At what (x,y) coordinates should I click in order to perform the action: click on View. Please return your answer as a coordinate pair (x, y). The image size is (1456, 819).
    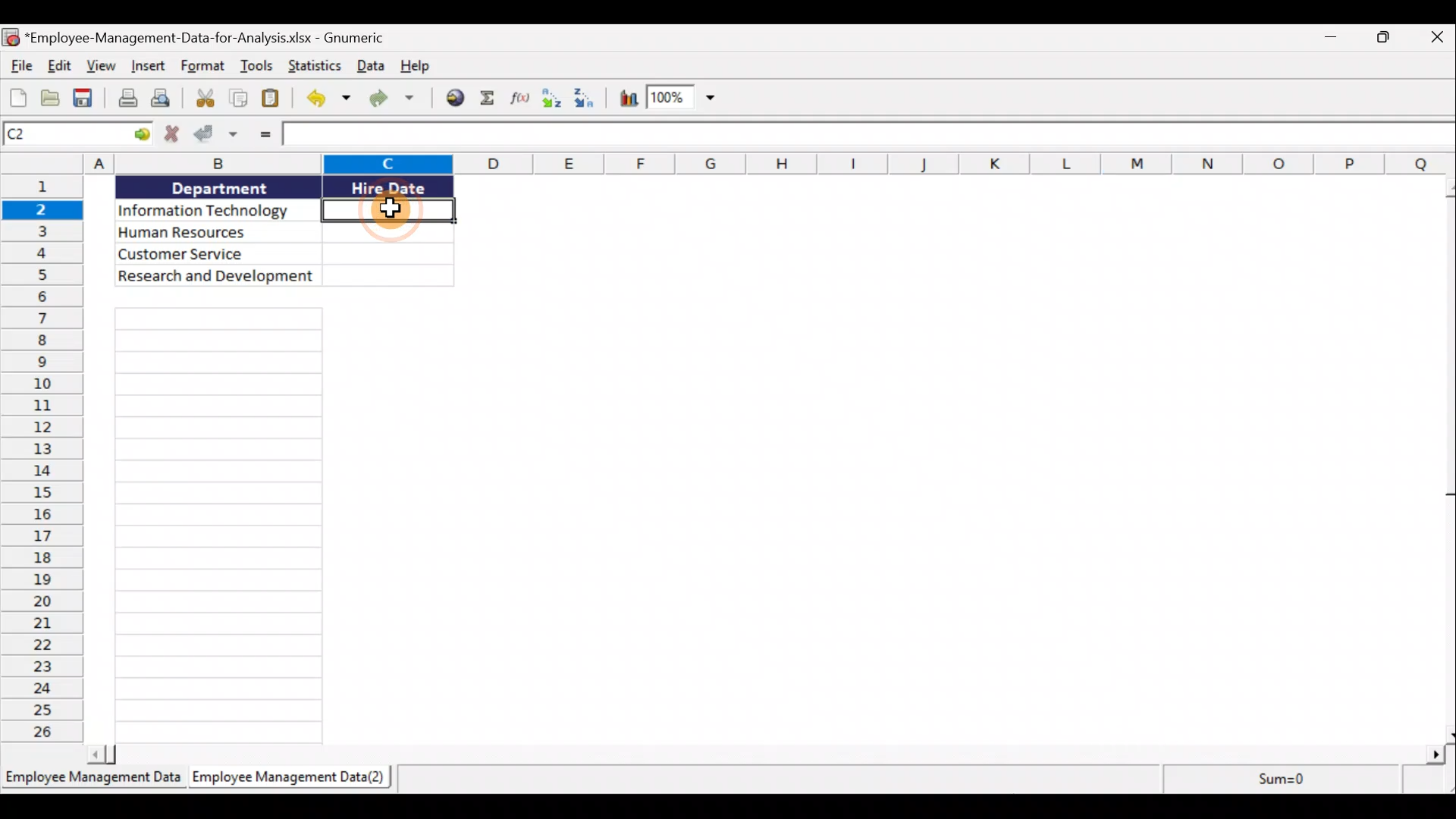
    Looking at the image, I should click on (104, 67).